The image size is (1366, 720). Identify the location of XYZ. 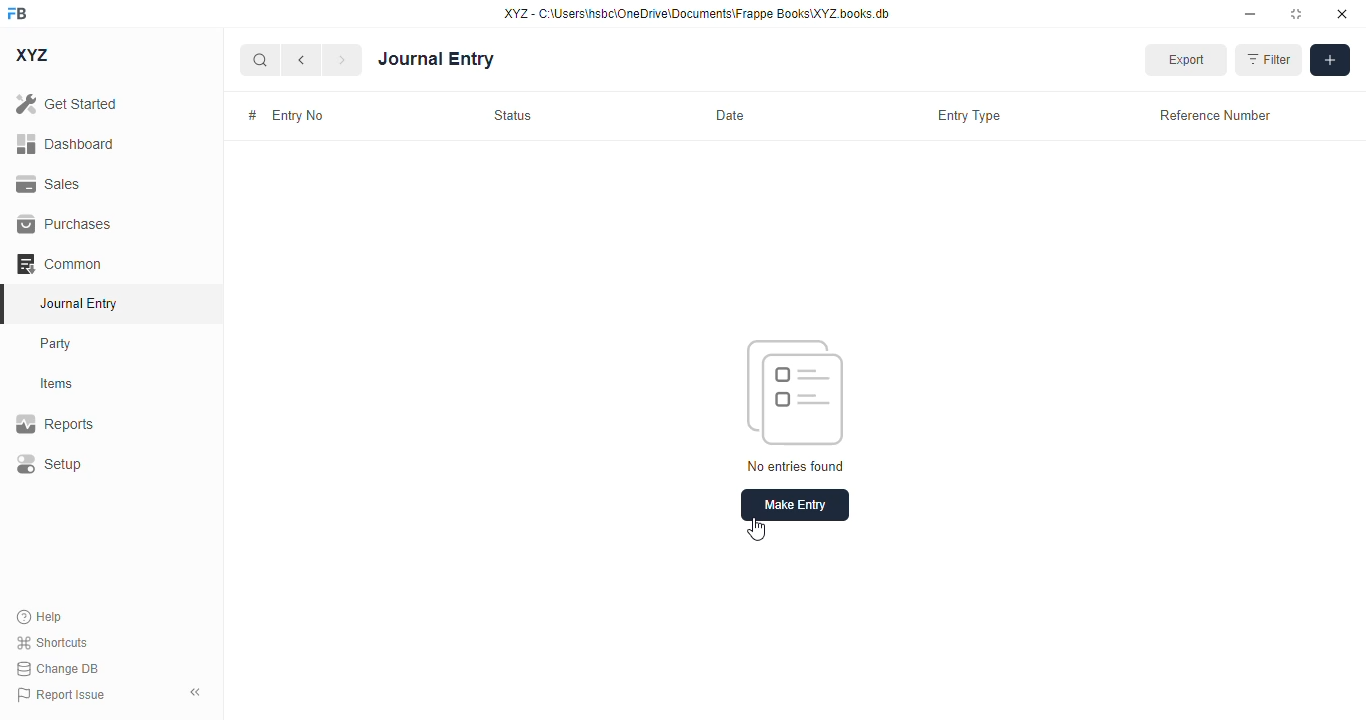
(33, 55).